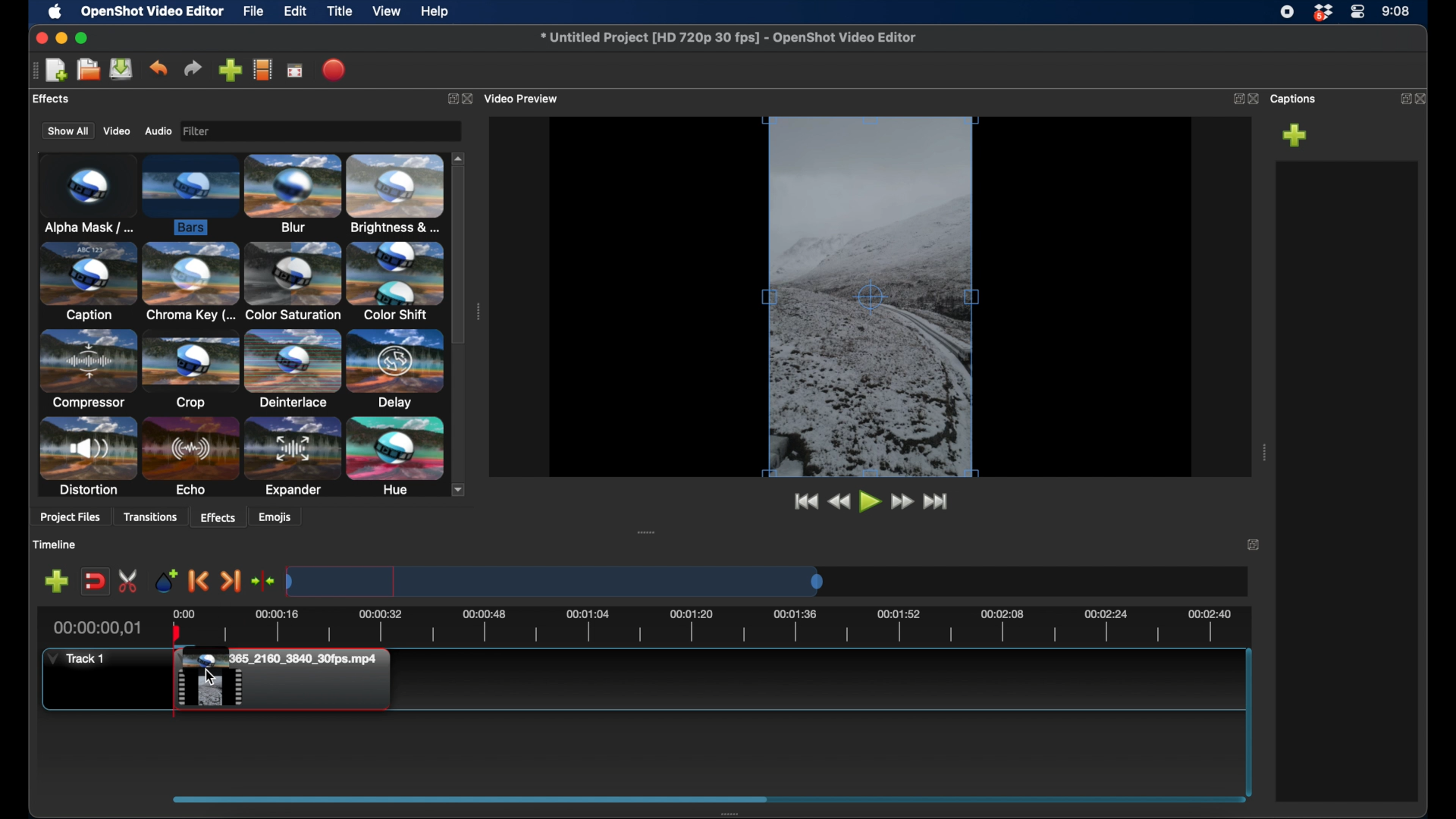 This screenshot has width=1456, height=819. Describe the element at coordinates (262, 581) in the screenshot. I see `center playhead on the timeline` at that location.